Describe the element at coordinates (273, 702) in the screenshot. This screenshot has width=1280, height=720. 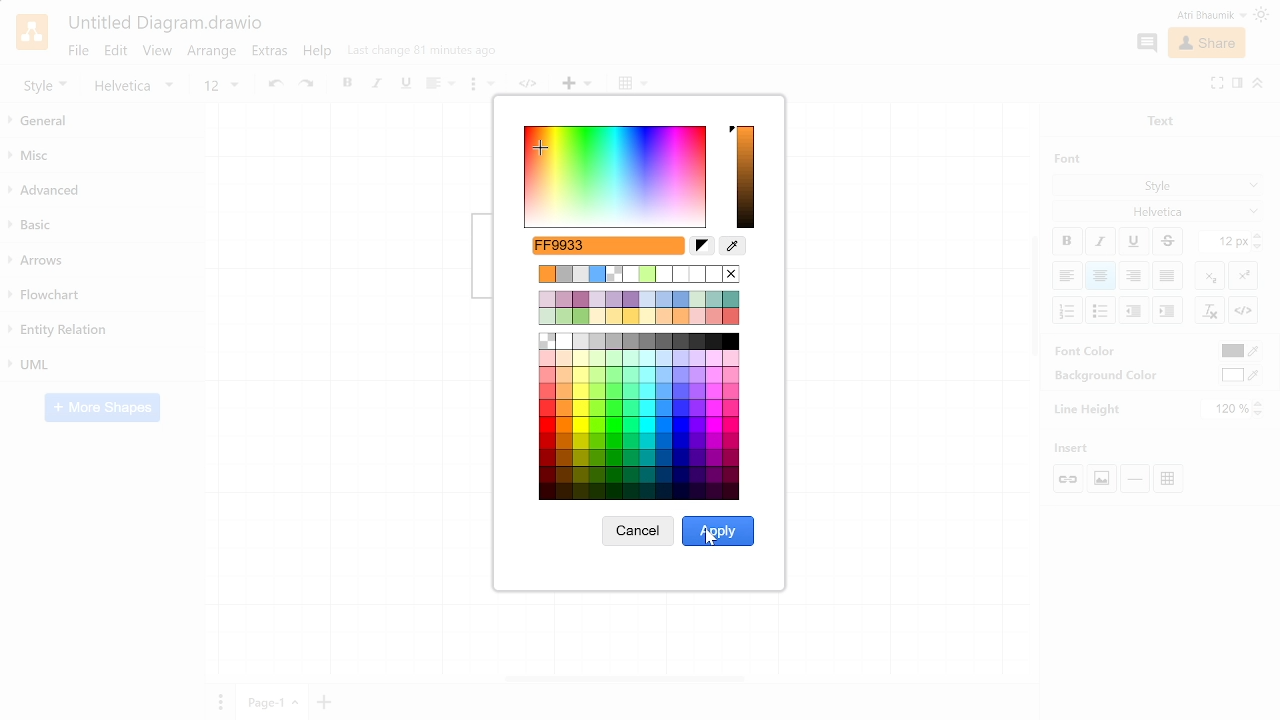
I see `Current page` at that location.